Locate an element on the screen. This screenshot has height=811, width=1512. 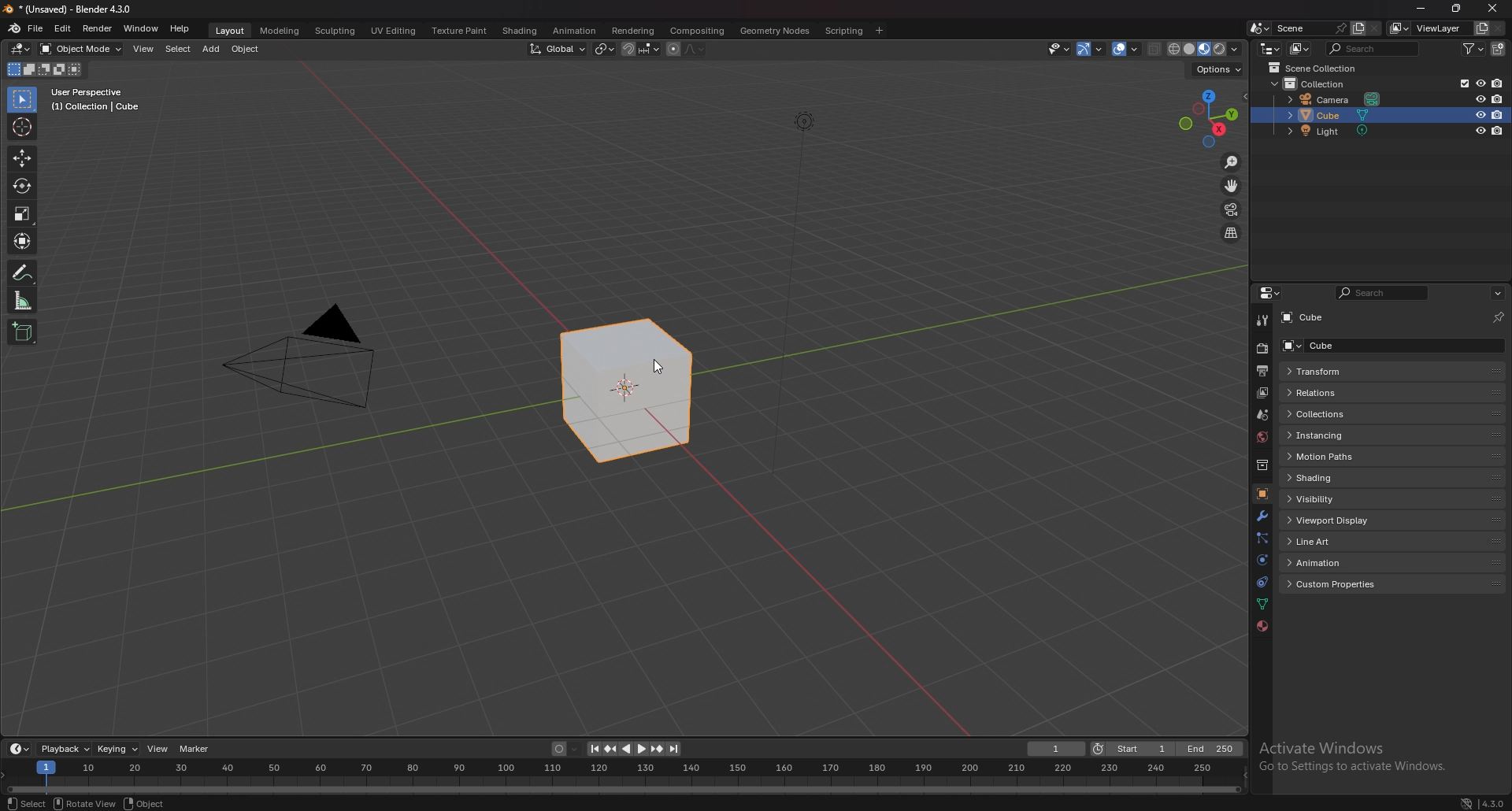
pyramid is located at coordinates (306, 357).